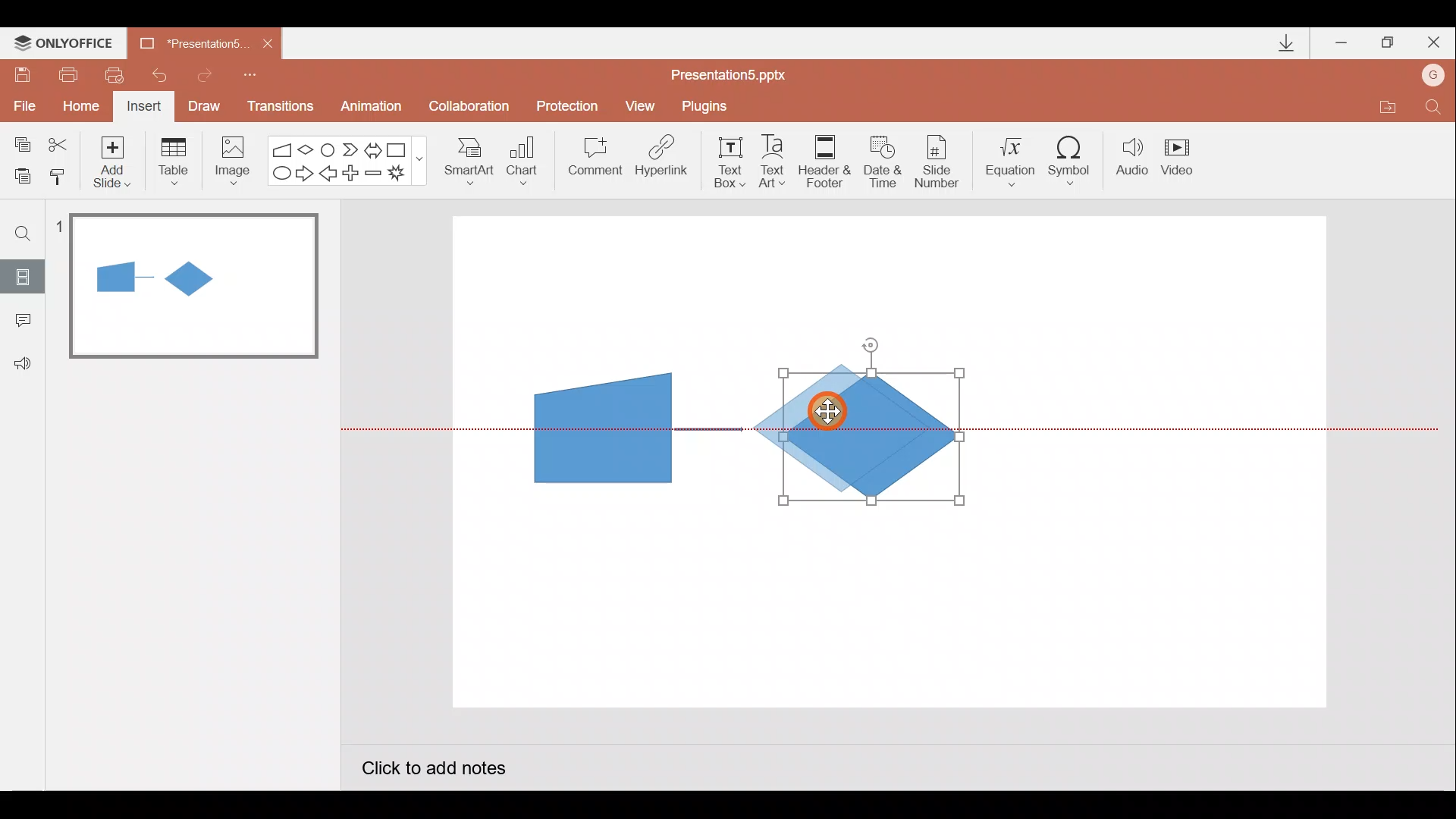 The height and width of the screenshot is (819, 1456). What do you see at coordinates (67, 43) in the screenshot?
I see `ONLYOFFICE` at bounding box center [67, 43].